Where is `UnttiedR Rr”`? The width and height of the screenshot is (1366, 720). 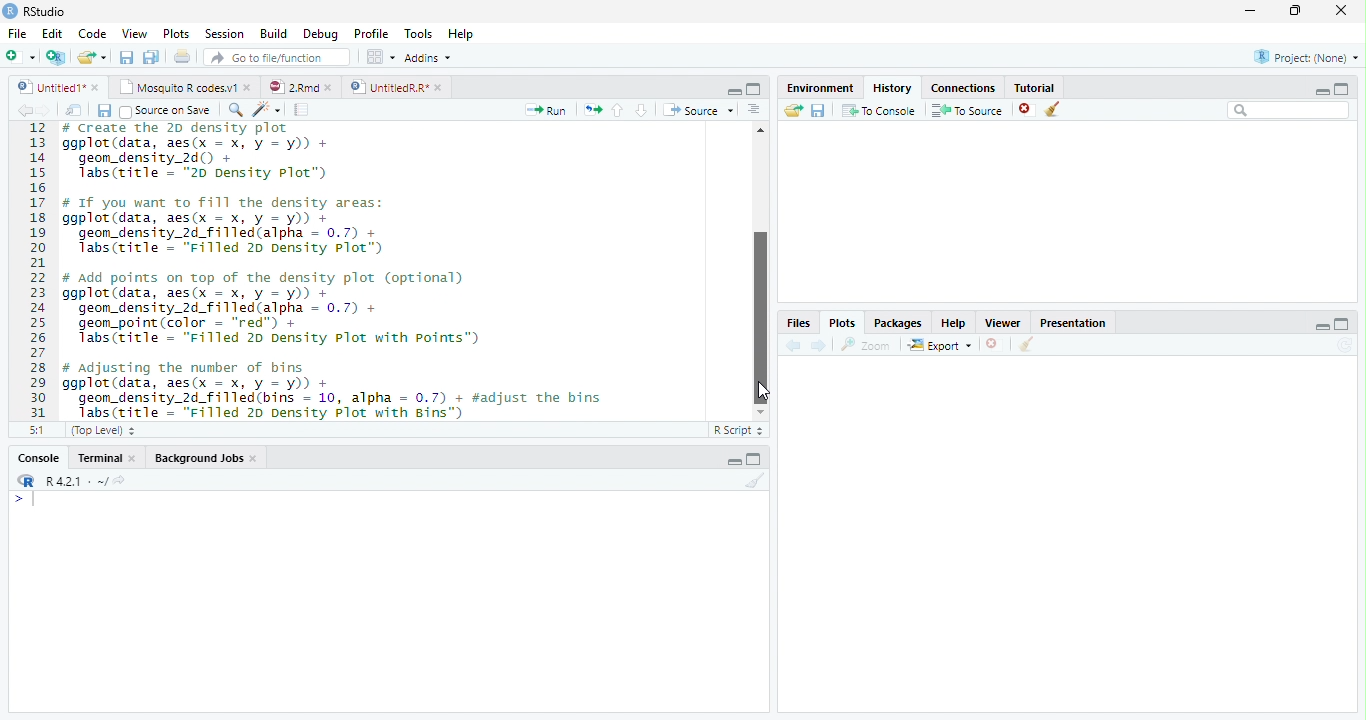 UnttiedR Rr” is located at coordinates (387, 86).